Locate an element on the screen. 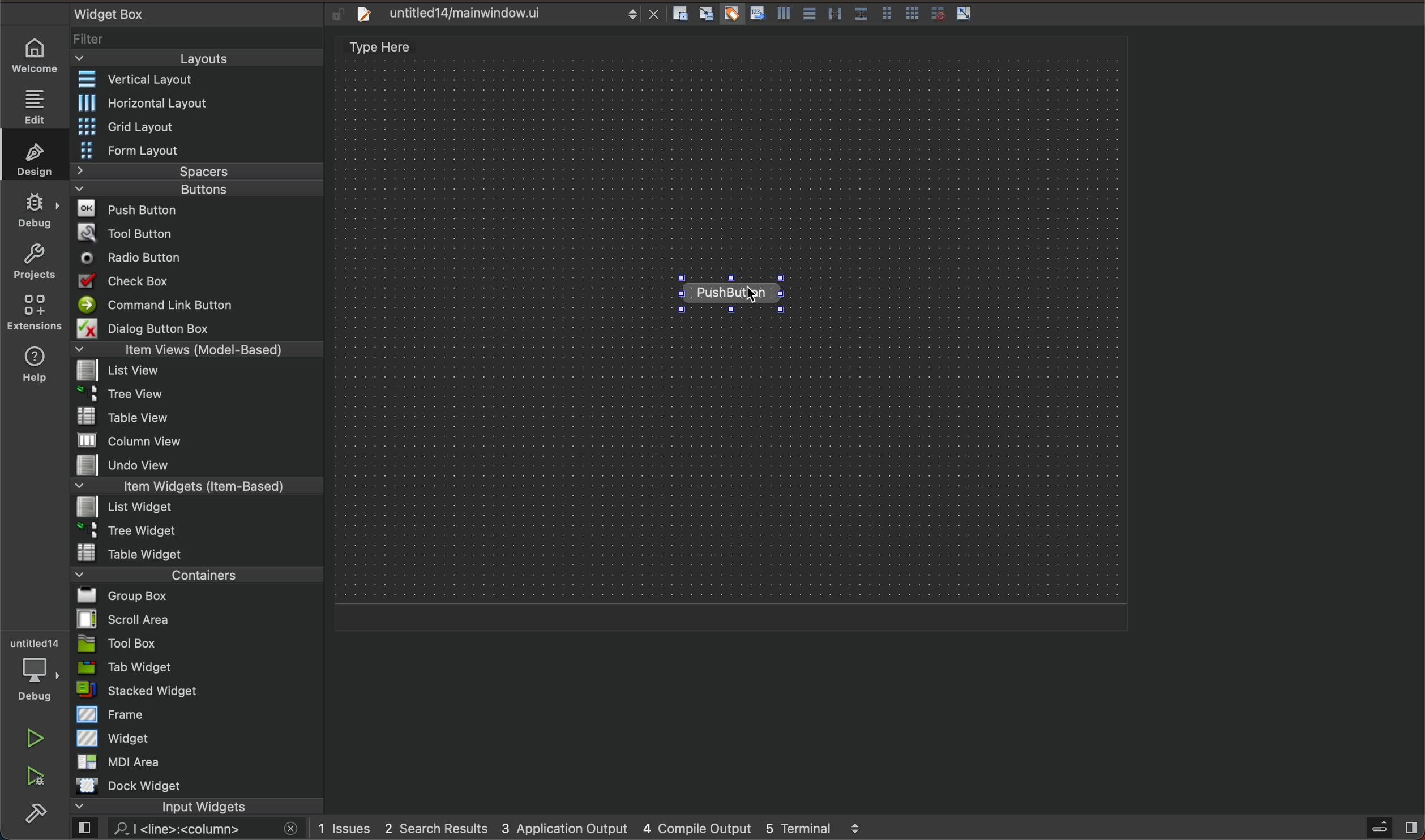 Image resolution: width=1425 pixels, height=840 pixels. WELCOME is located at coordinates (36, 58).